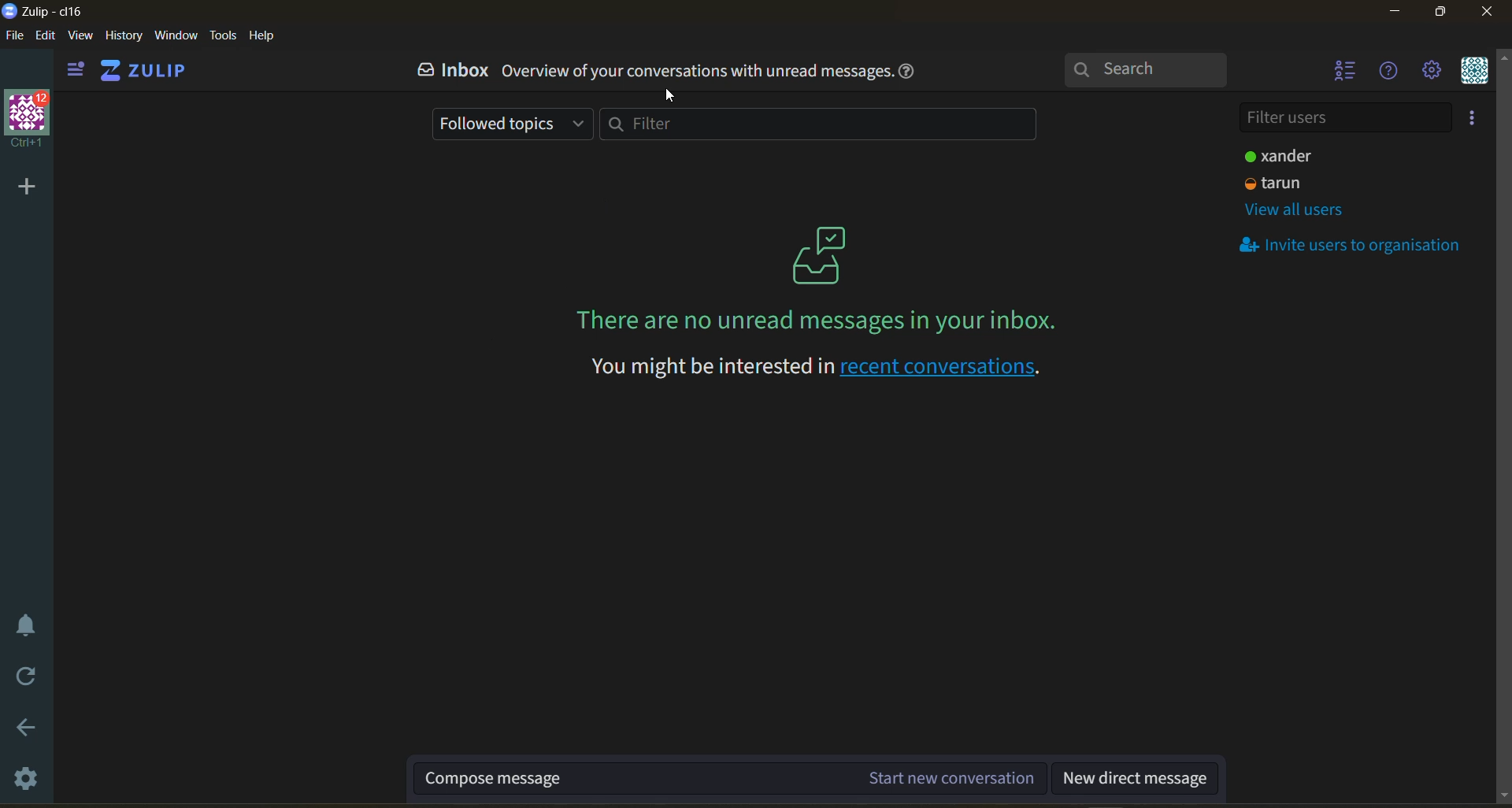  I want to click on cursor, so click(676, 97).